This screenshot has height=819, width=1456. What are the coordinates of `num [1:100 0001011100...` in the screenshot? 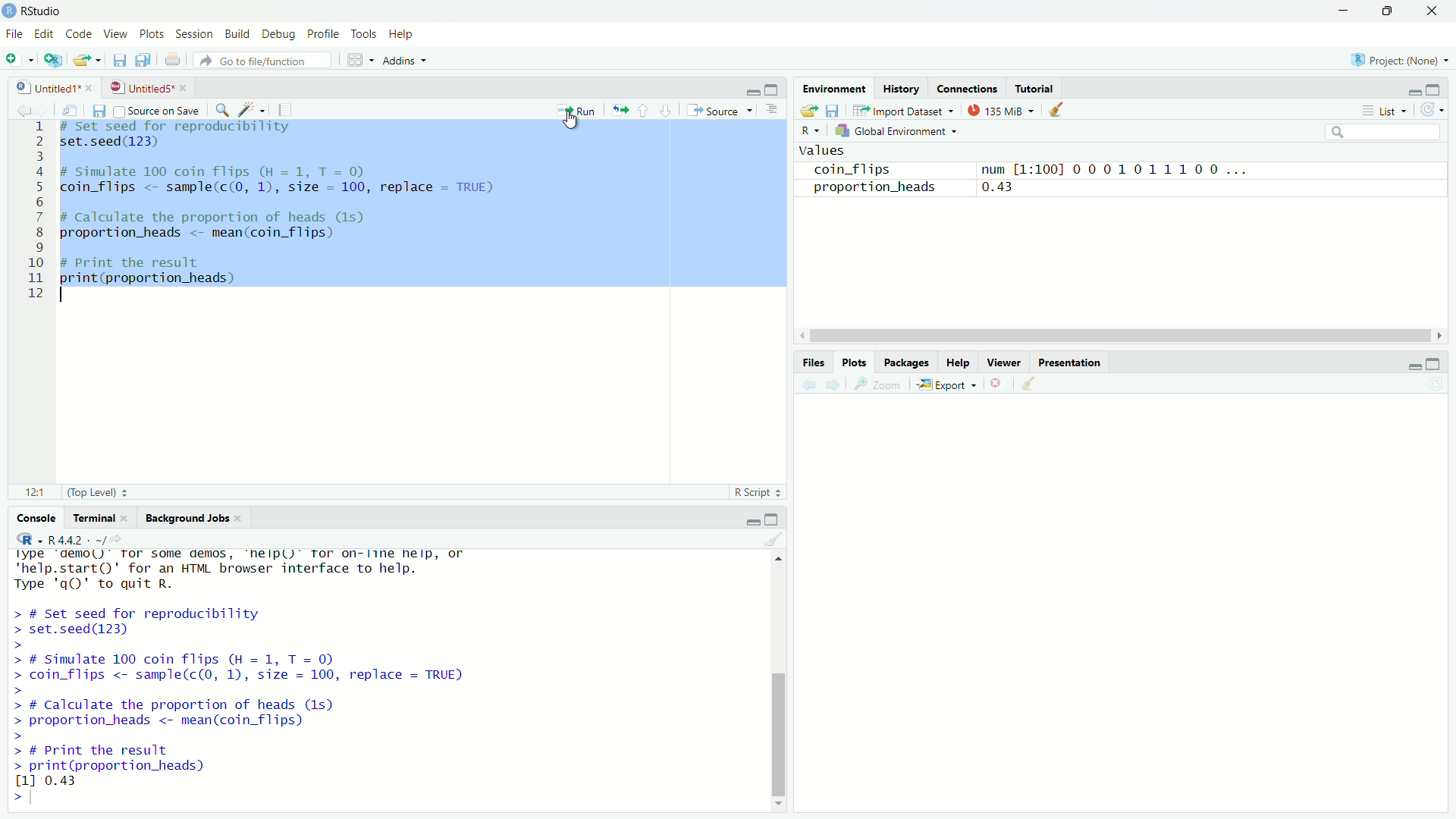 It's located at (1130, 166).